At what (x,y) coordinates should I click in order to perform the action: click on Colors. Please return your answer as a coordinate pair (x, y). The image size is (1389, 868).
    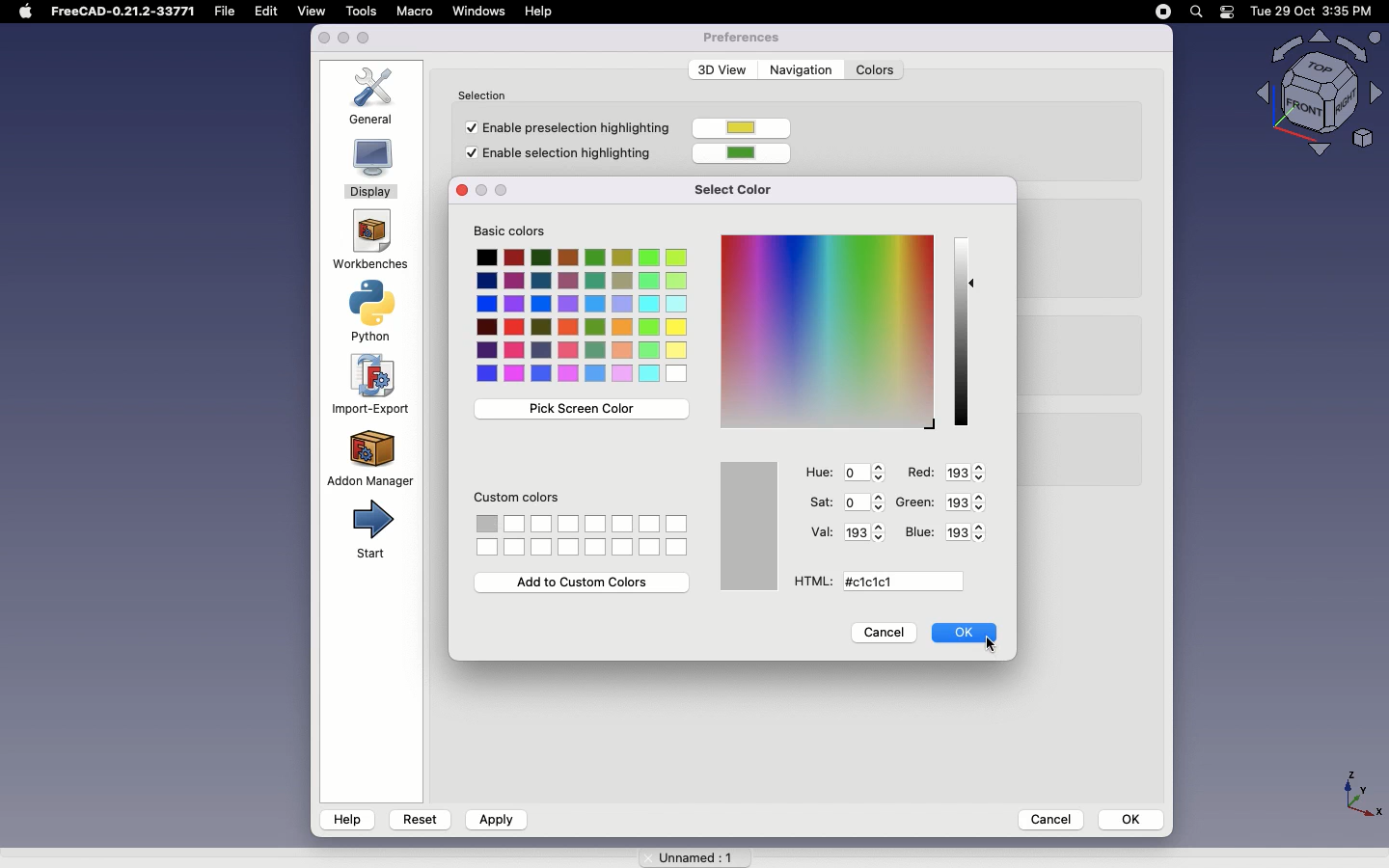
    Looking at the image, I should click on (586, 536).